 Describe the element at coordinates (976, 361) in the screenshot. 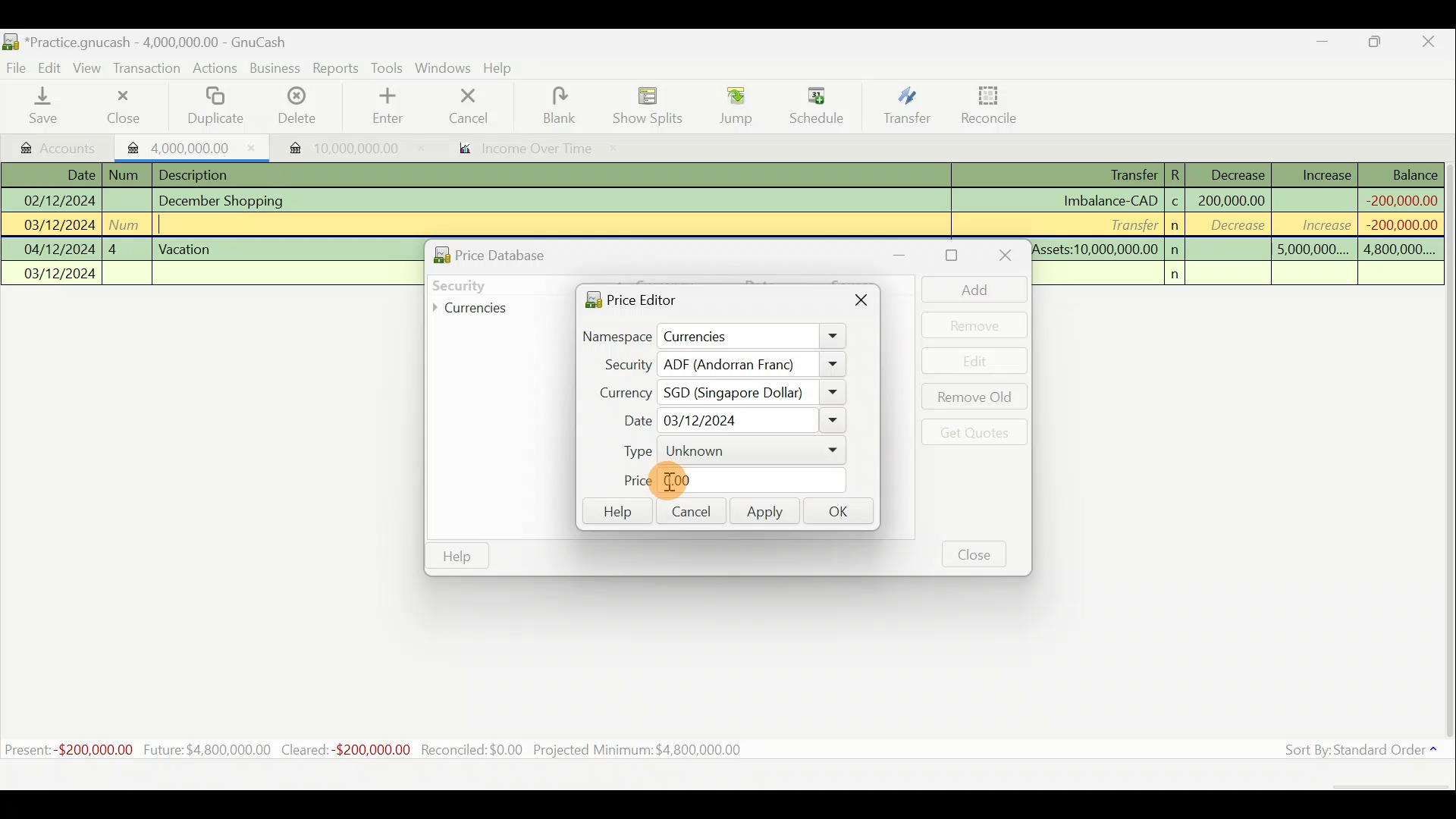

I see `Edit` at that location.